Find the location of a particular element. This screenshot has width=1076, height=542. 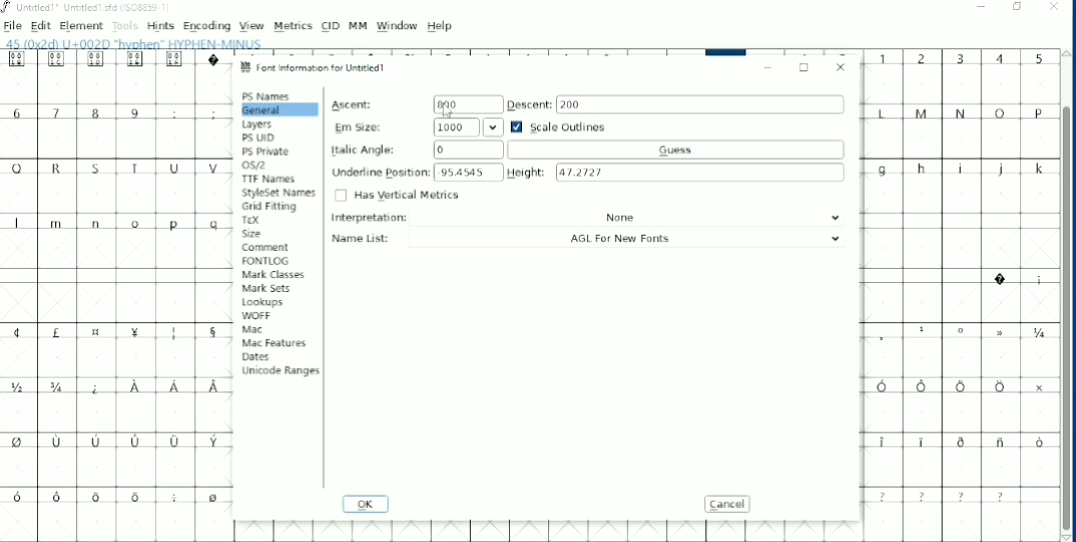

Interpretation is located at coordinates (590, 218).